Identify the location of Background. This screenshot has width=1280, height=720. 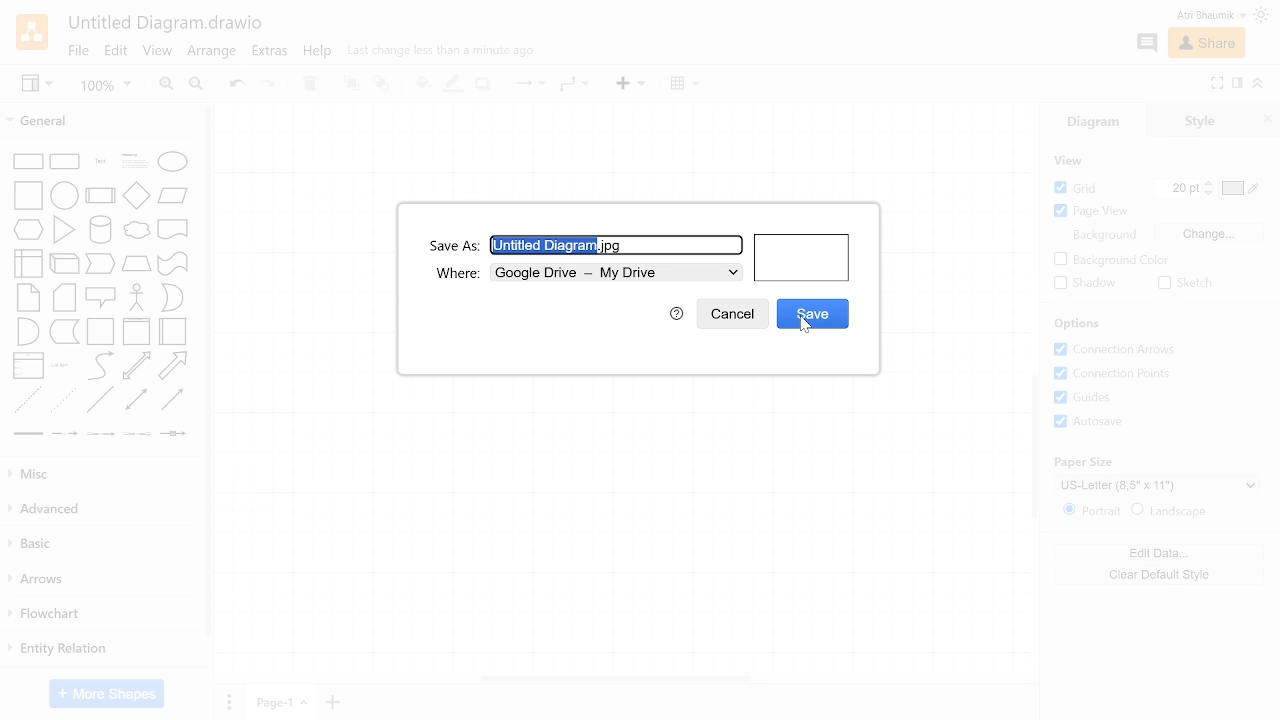
(1103, 236).